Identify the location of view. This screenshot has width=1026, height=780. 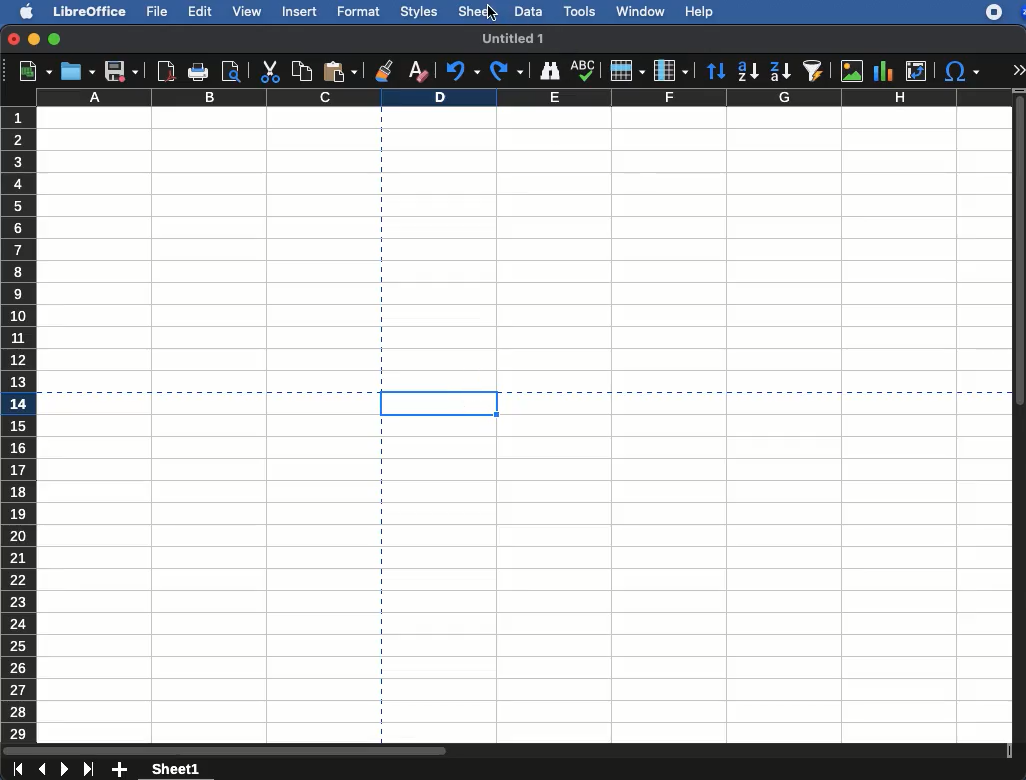
(244, 14).